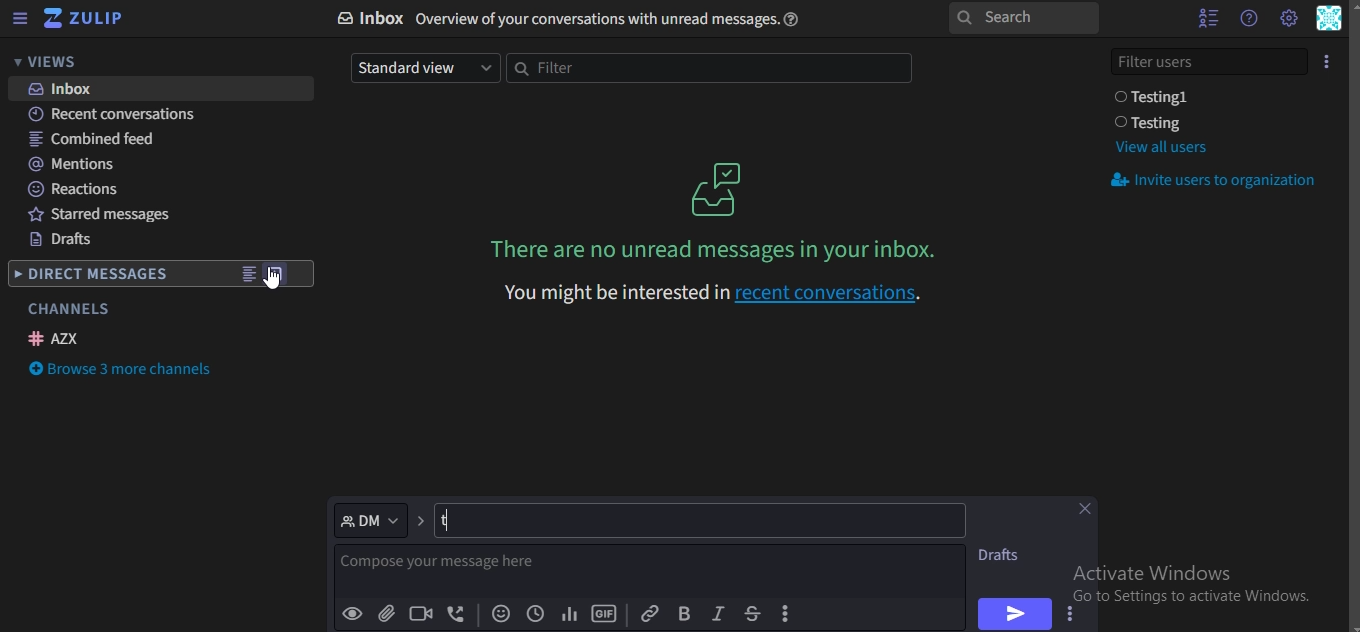  Describe the element at coordinates (719, 188) in the screenshot. I see `icon` at that location.